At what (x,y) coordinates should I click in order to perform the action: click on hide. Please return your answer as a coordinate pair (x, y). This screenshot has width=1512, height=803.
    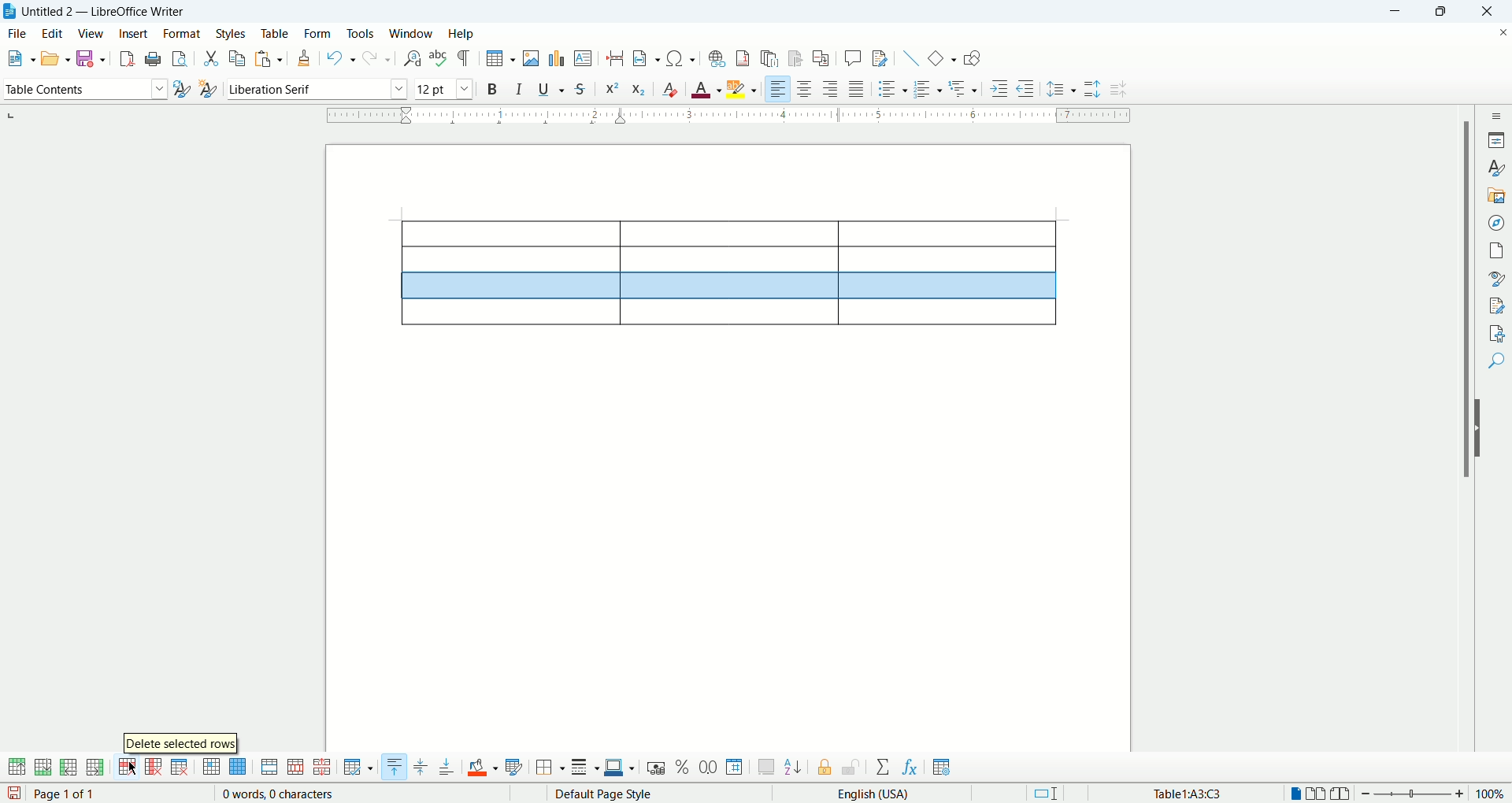
    Looking at the image, I should click on (1482, 446).